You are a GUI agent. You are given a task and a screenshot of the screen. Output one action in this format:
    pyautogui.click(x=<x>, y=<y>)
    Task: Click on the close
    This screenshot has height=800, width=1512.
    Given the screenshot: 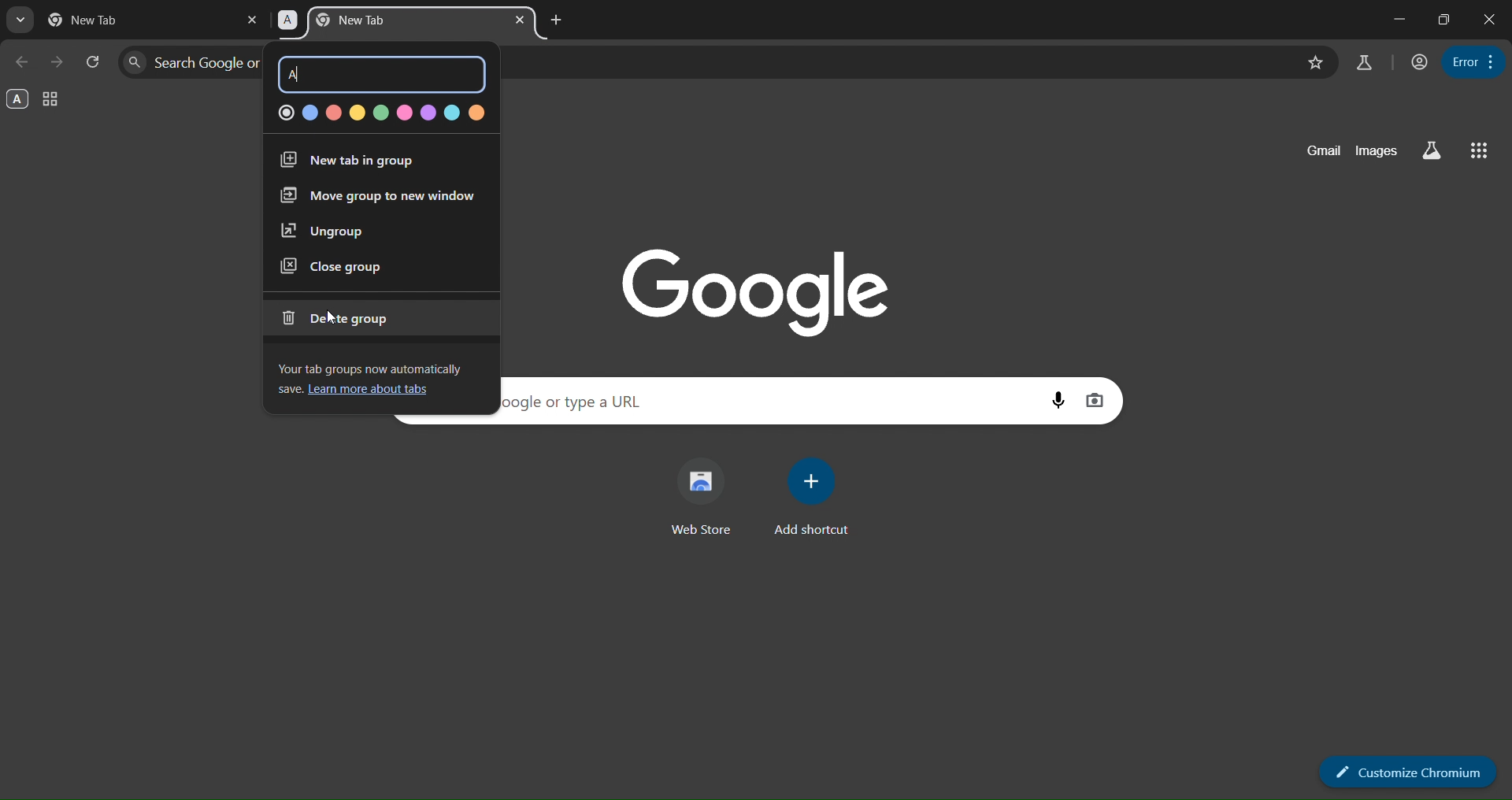 What is the action you would take?
    pyautogui.click(x=1490, y=17)
    